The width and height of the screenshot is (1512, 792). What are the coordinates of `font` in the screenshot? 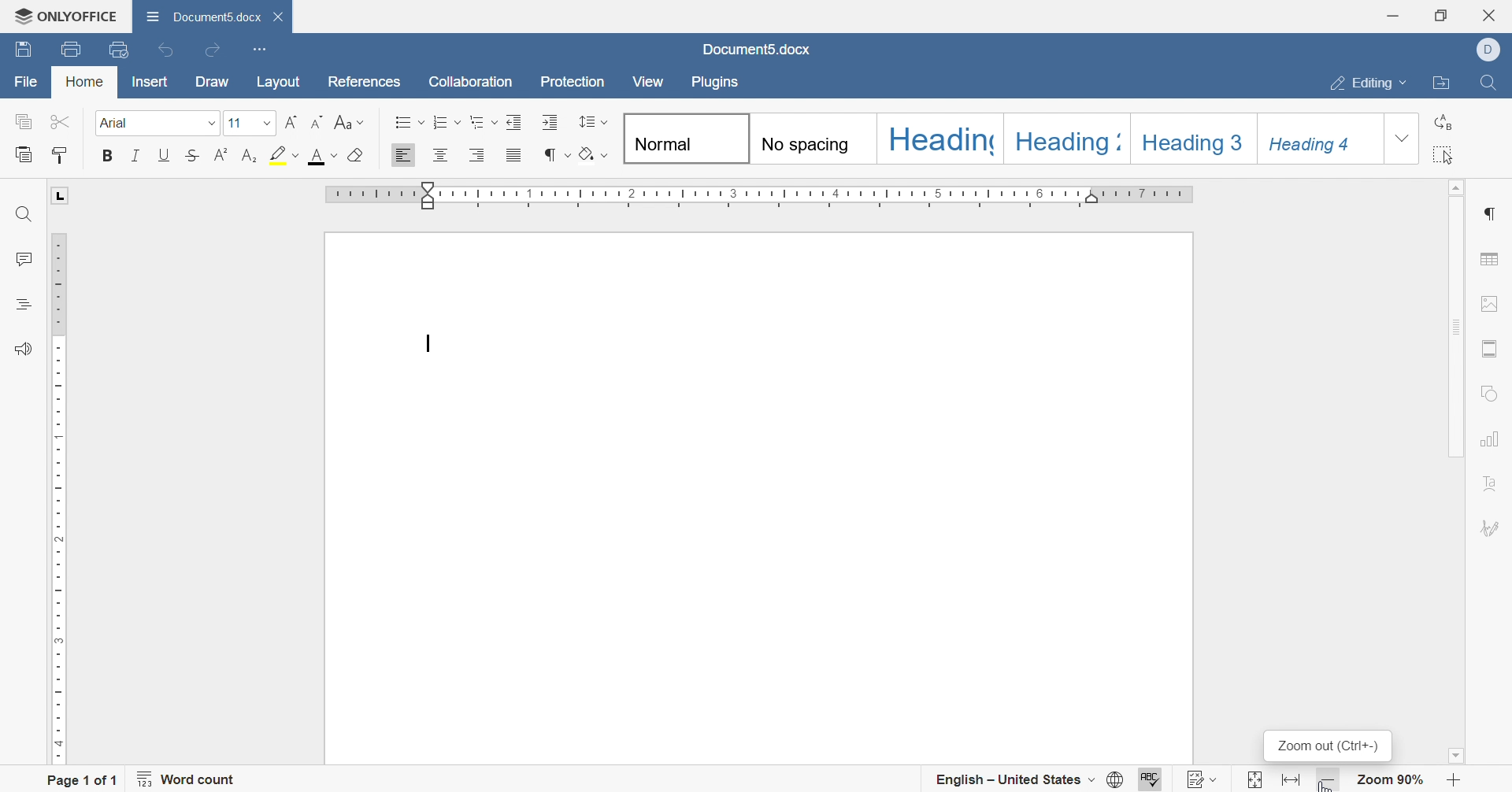 It's located at (161, 124).